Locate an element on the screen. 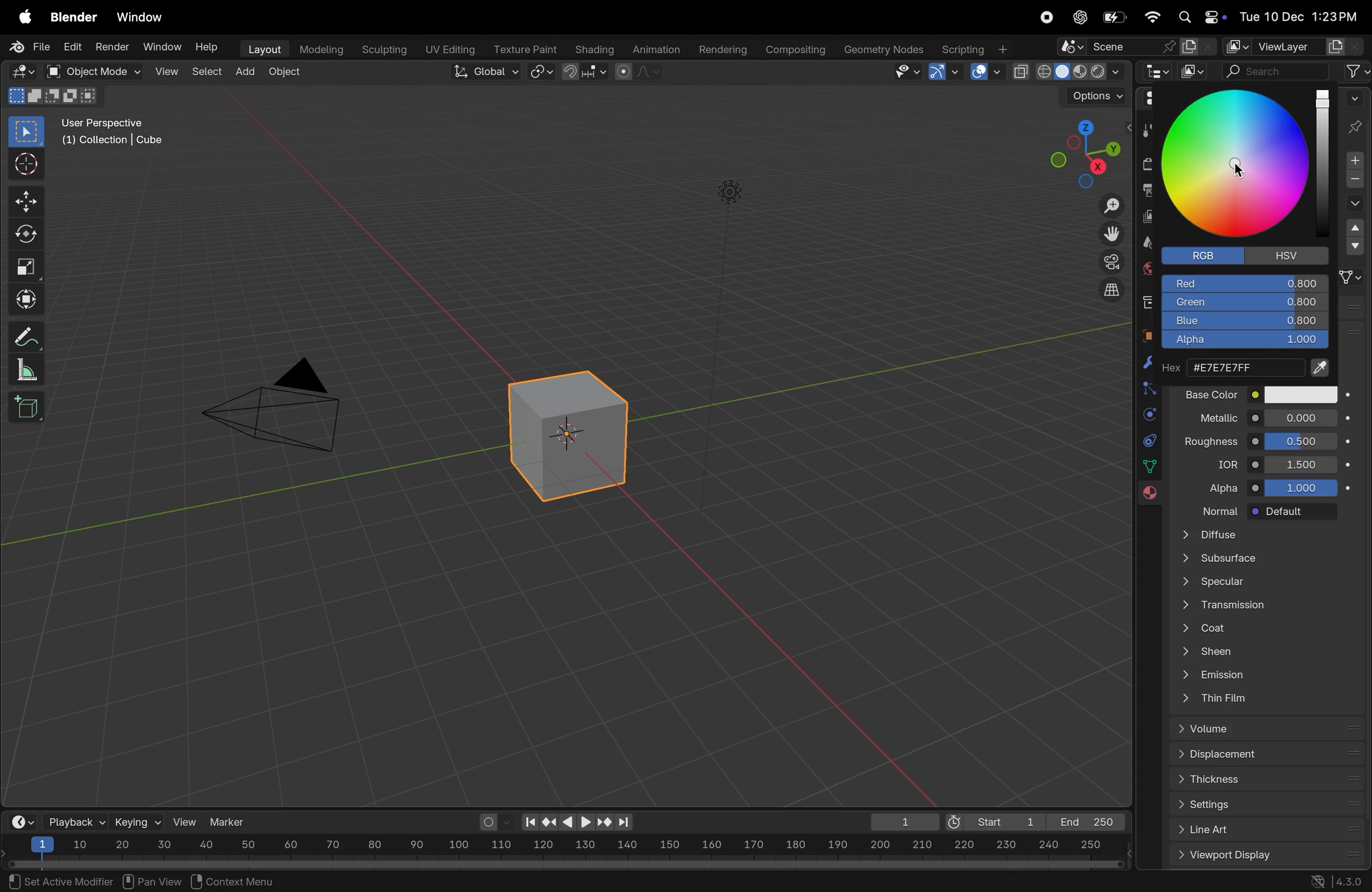 The image size is (1372, 892). visibility is located at coordinates (905, 73).